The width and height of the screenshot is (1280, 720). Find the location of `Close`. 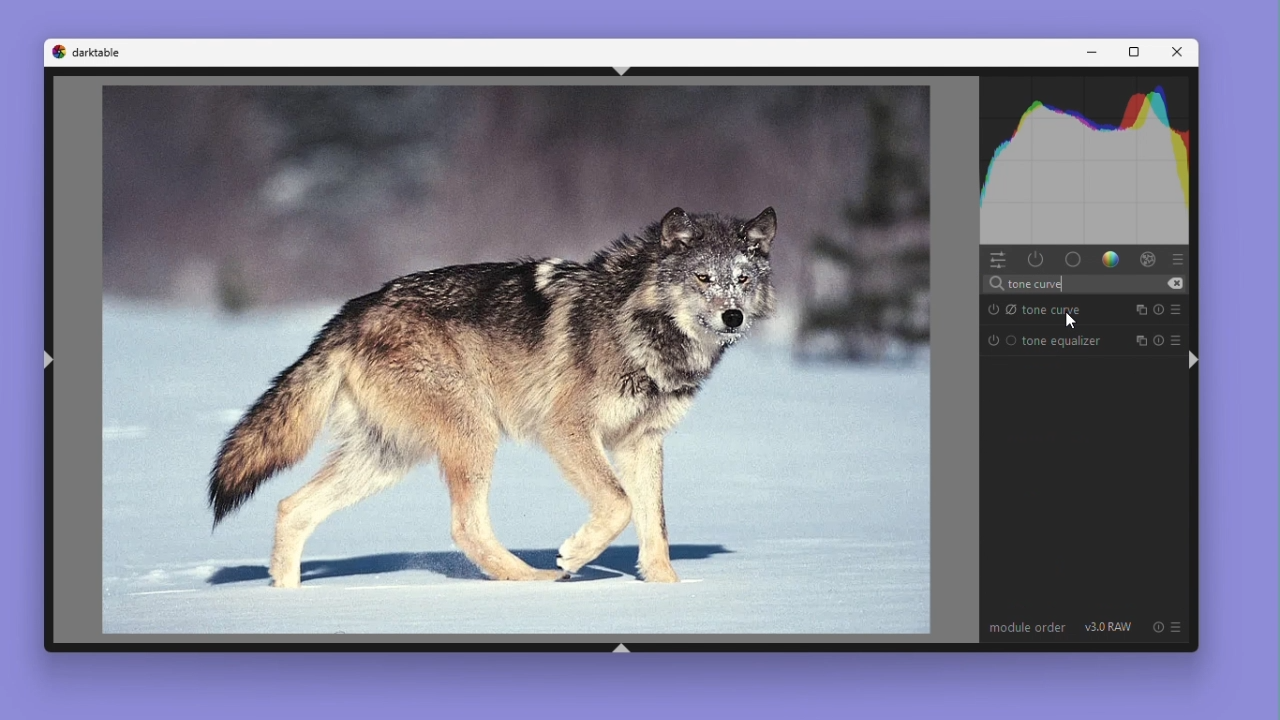

Close is located at coordinates (1179, 53).